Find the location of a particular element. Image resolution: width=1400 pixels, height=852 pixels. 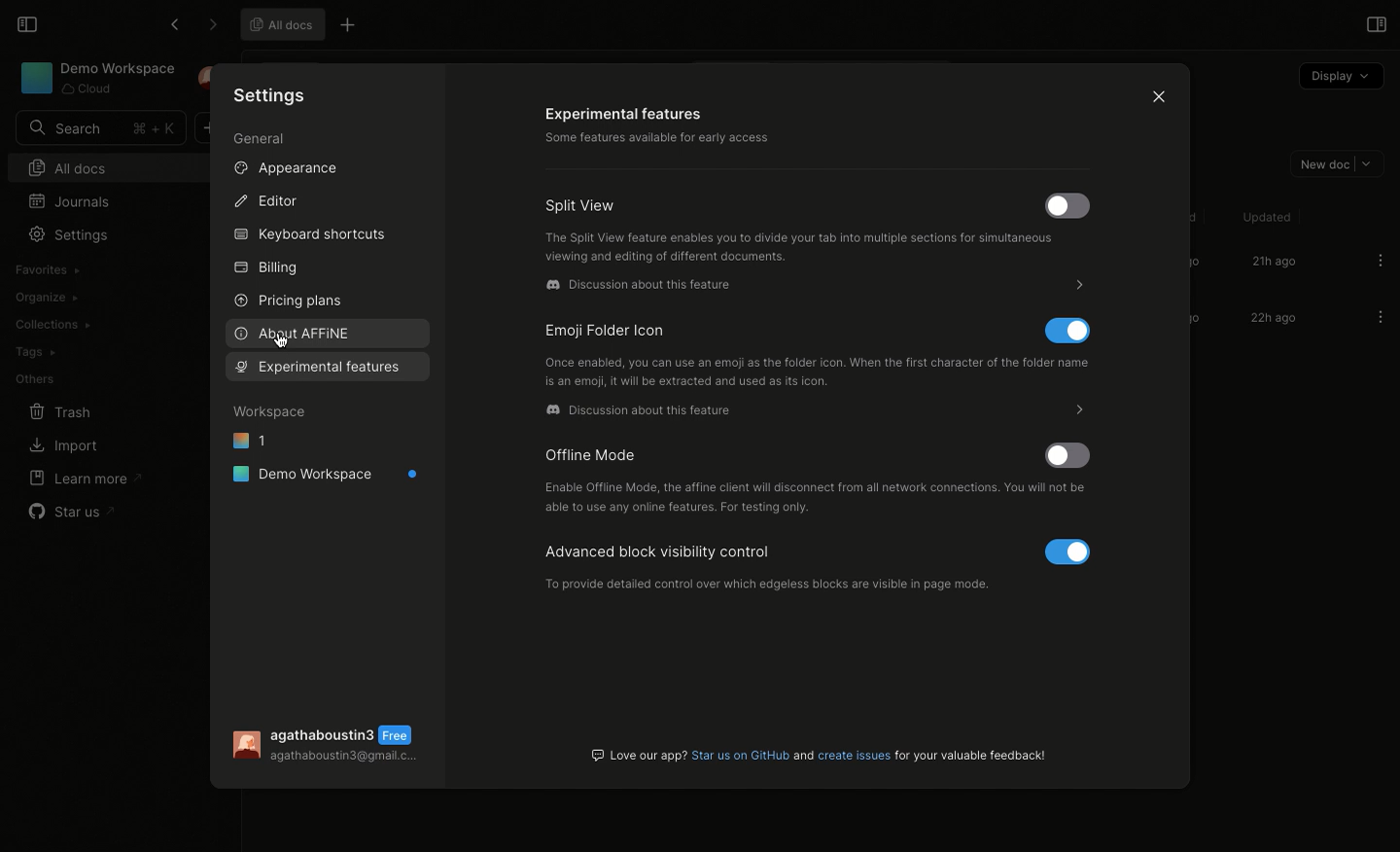

Import workspace is located at coordinates (91, 268).